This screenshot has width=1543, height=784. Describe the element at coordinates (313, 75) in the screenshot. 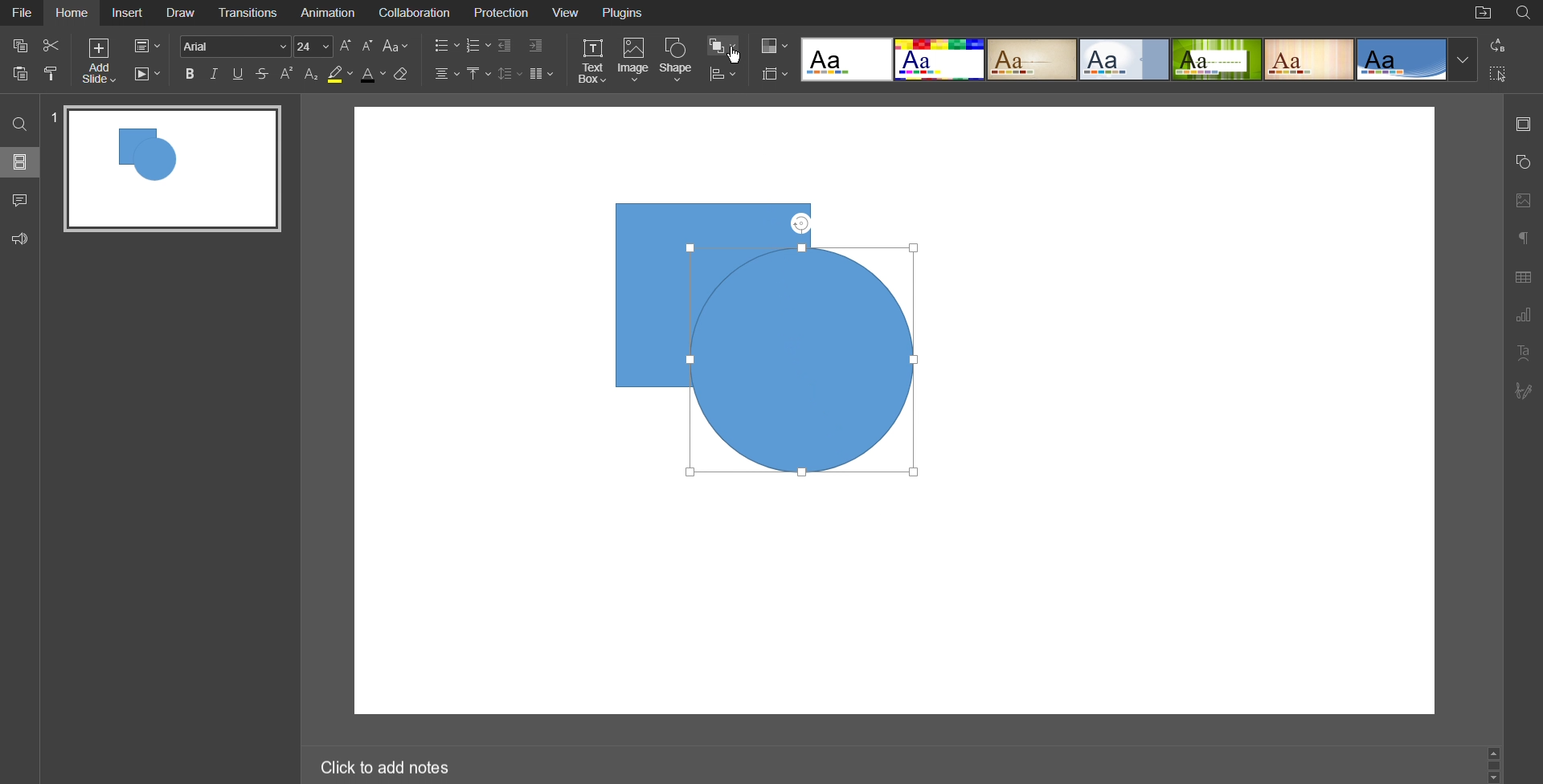

I see `Subscript` at that location.